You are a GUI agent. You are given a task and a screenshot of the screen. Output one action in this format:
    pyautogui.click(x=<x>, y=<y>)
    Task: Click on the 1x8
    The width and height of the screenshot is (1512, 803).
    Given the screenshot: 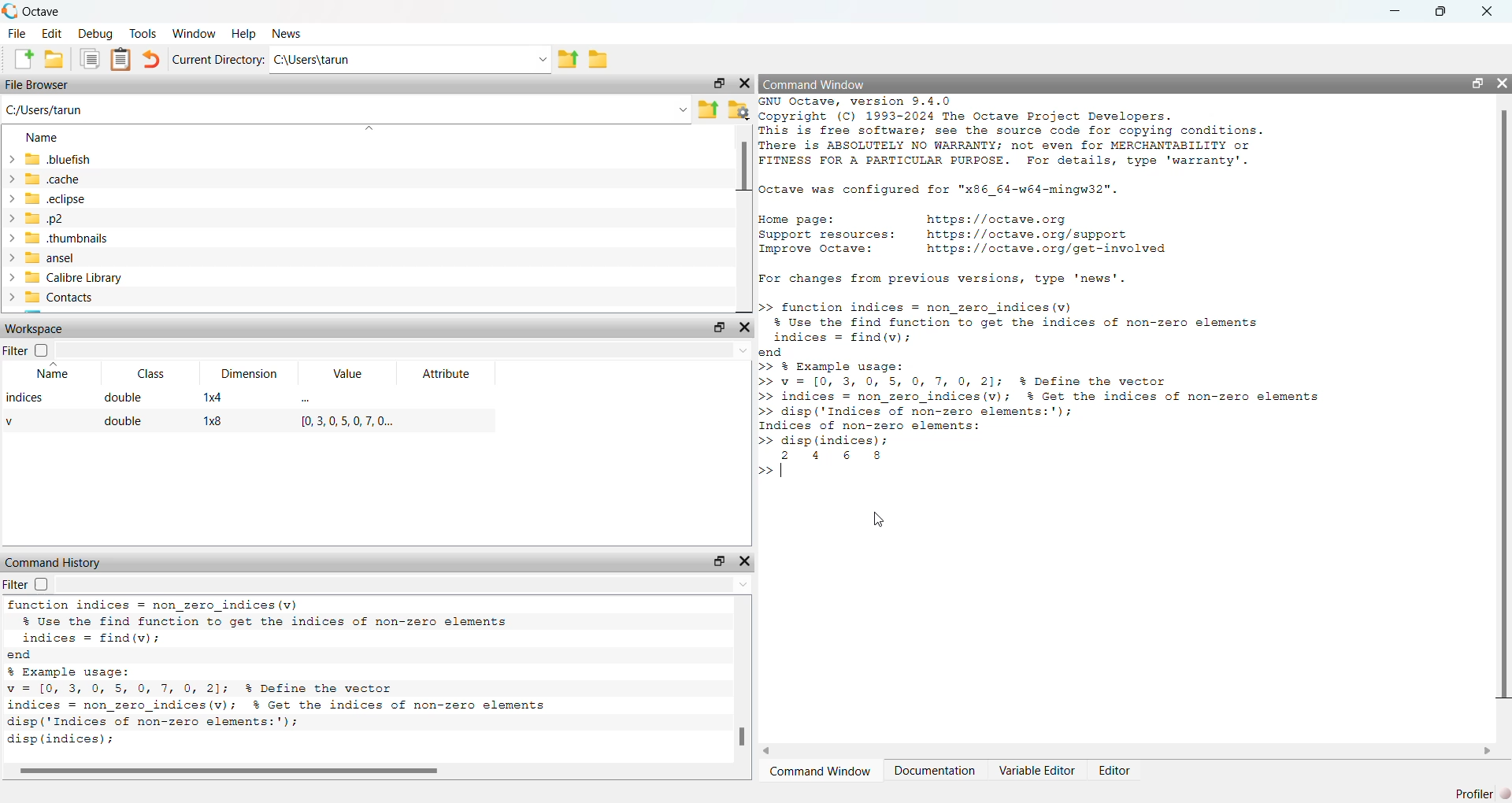 What is the action you would take?
    pyautogui.click(x=216, y=425)
    